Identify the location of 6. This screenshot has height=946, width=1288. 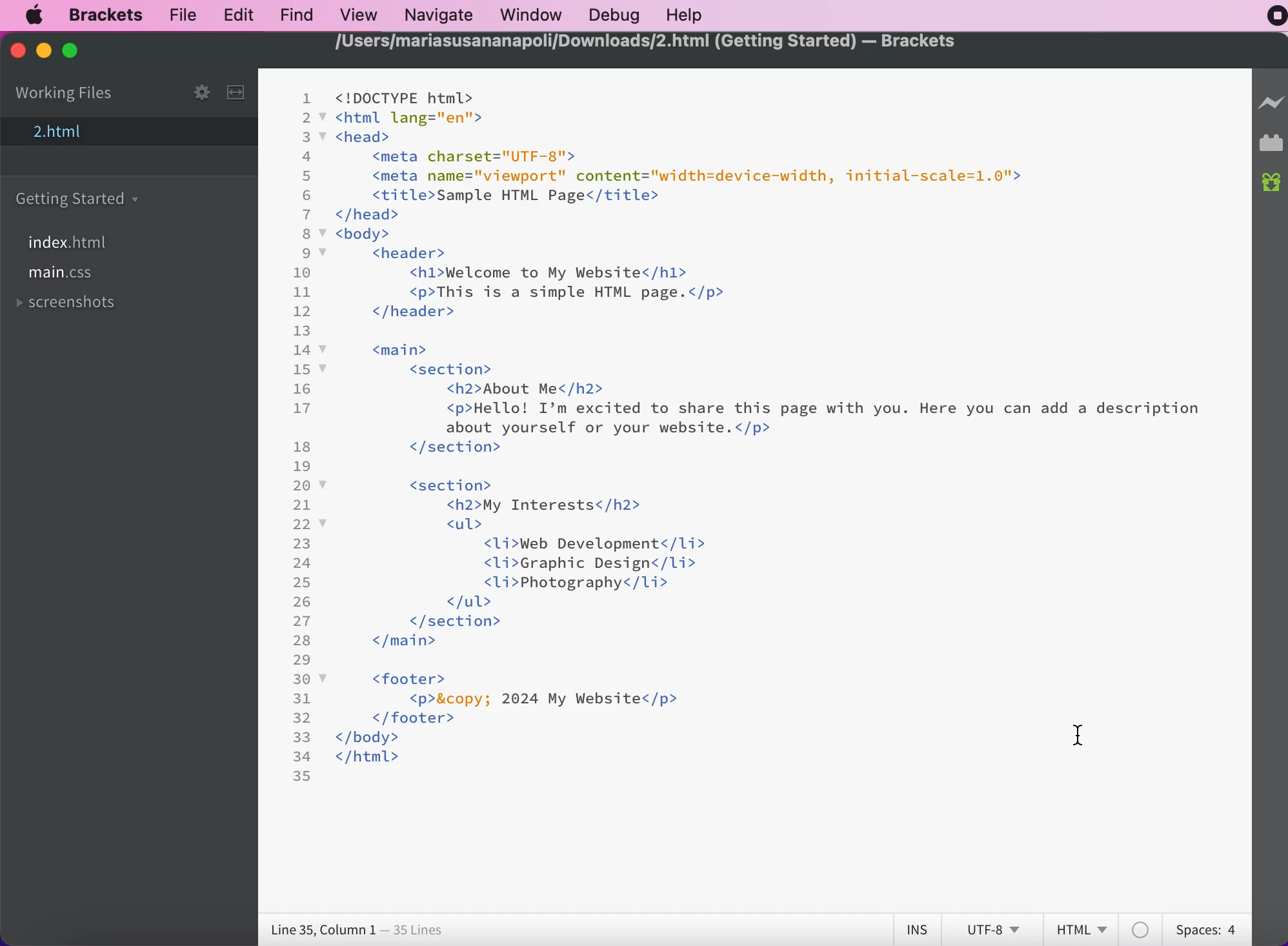
(307, 196).